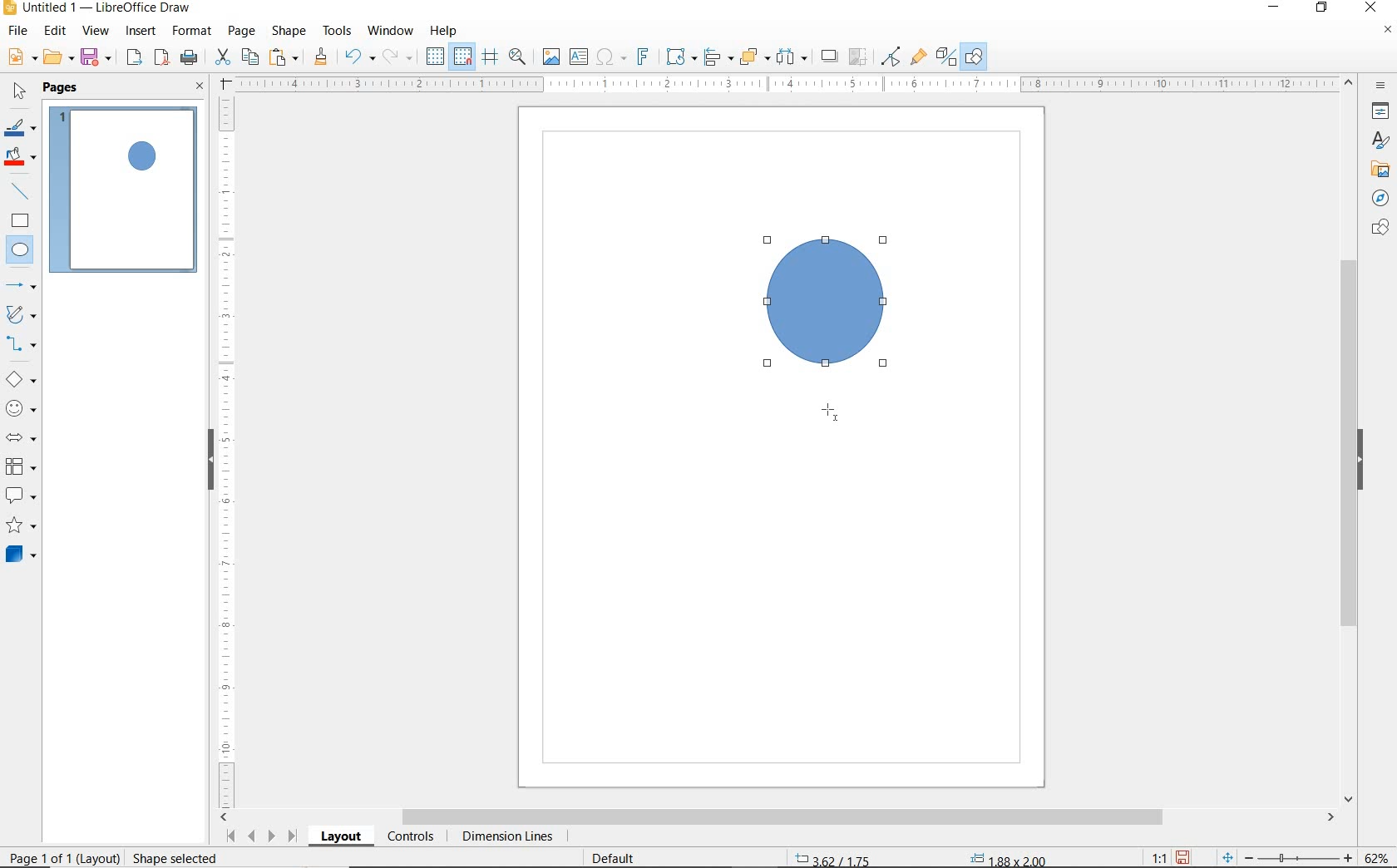 Image resolution: width=1397 pixels, height=868 pixels. I want to click on FORMAT, so click(193, 31).